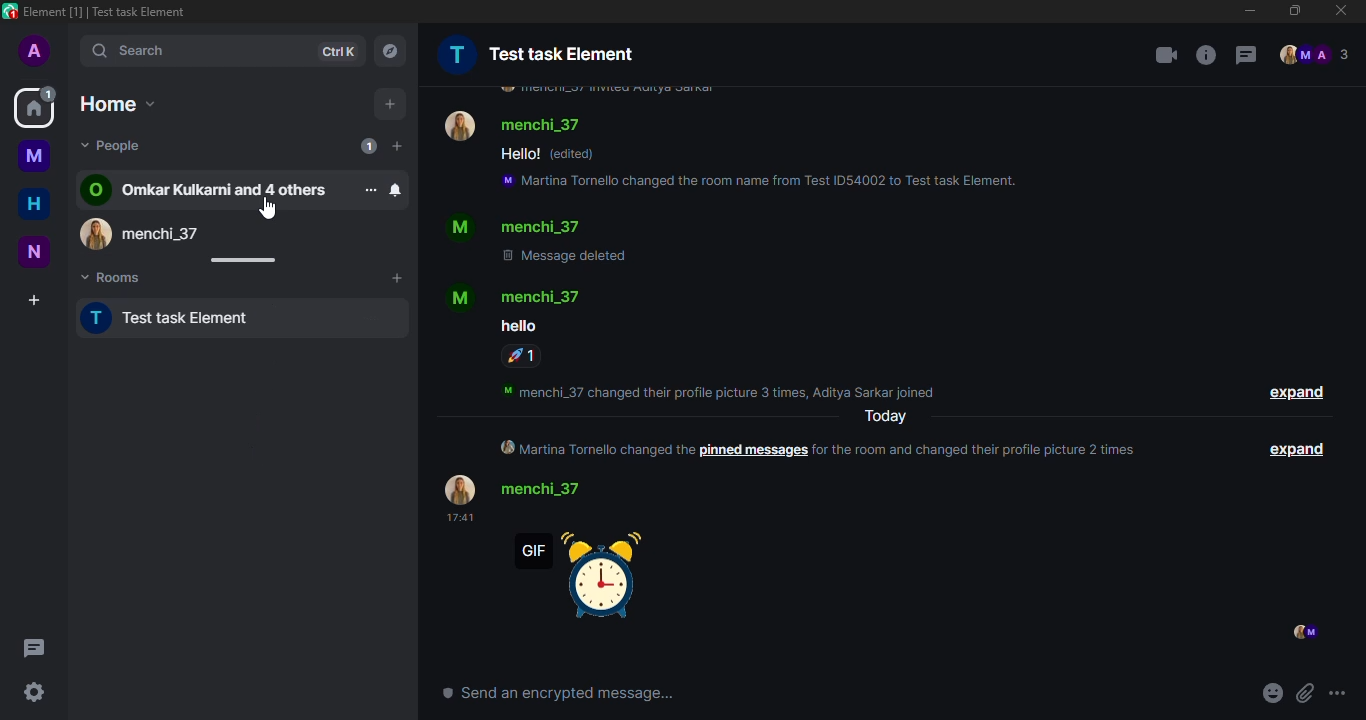 The image size is (1366, 720). I want to click on home, so click(33, 204).